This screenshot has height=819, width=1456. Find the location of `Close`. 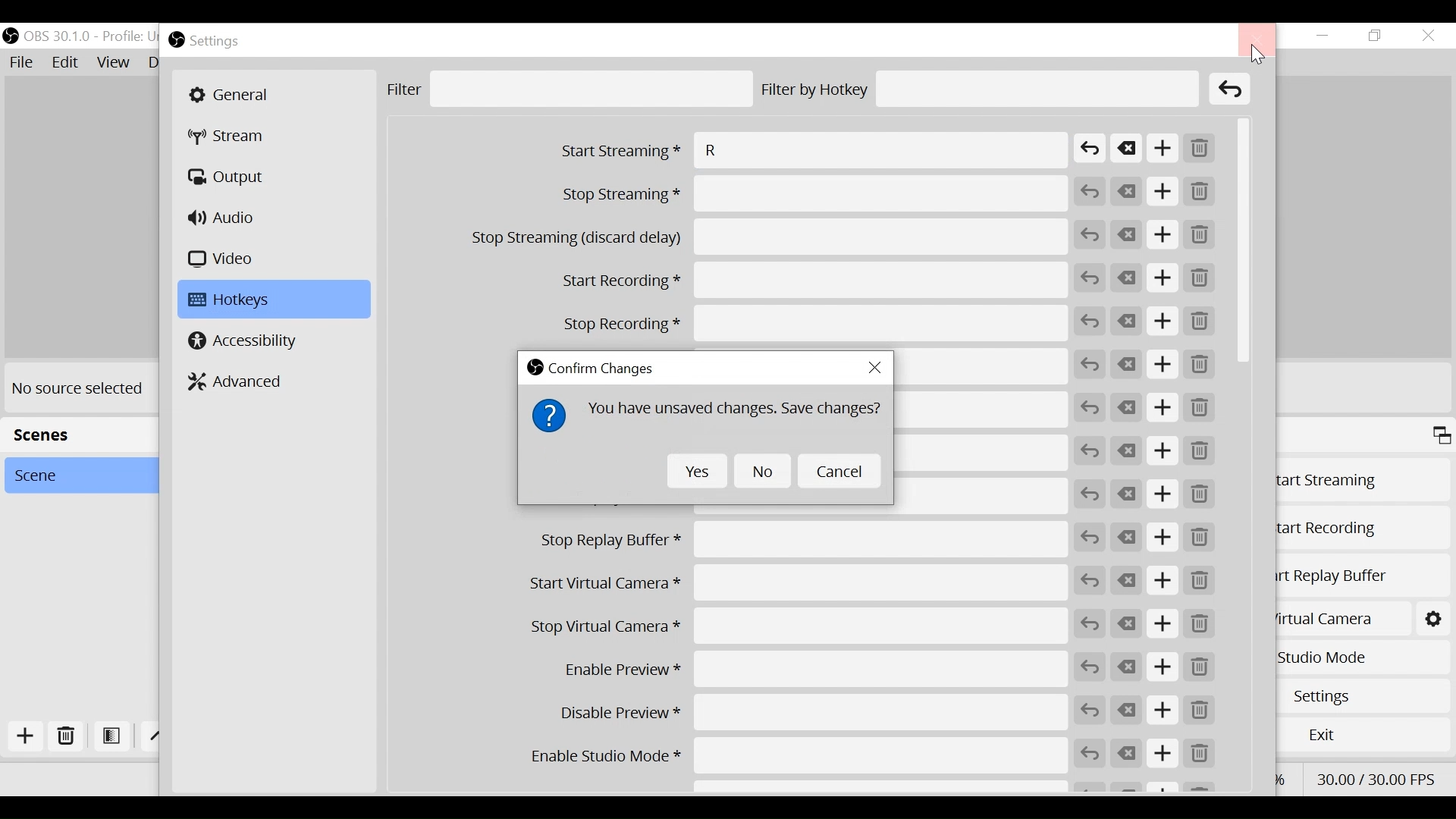

Close is located at coordinates (874, 367).